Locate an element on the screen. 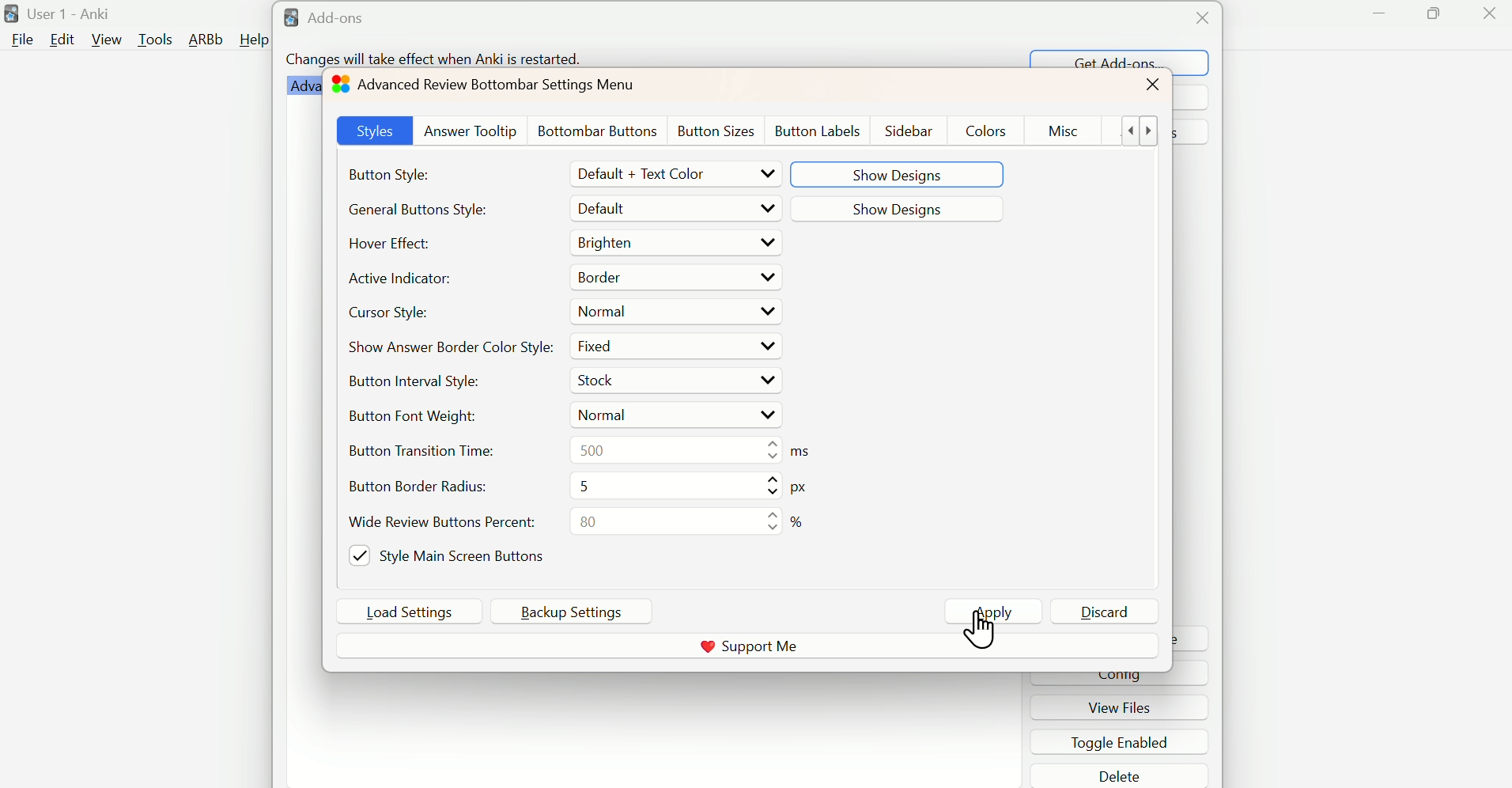  User 1 - Anki is located at coordinates (70, 14).